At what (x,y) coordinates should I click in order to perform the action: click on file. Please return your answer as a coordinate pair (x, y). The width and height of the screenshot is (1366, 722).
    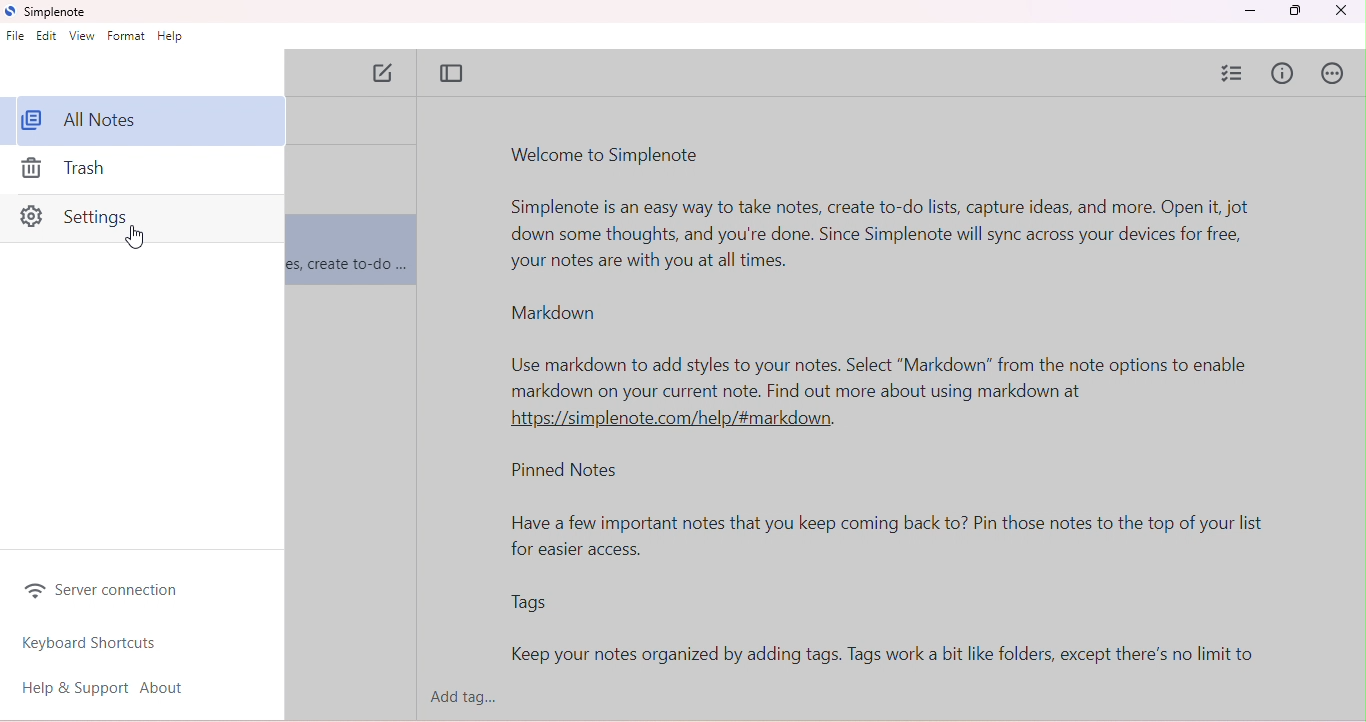
    Looking at the image, I should click on (16, 38).